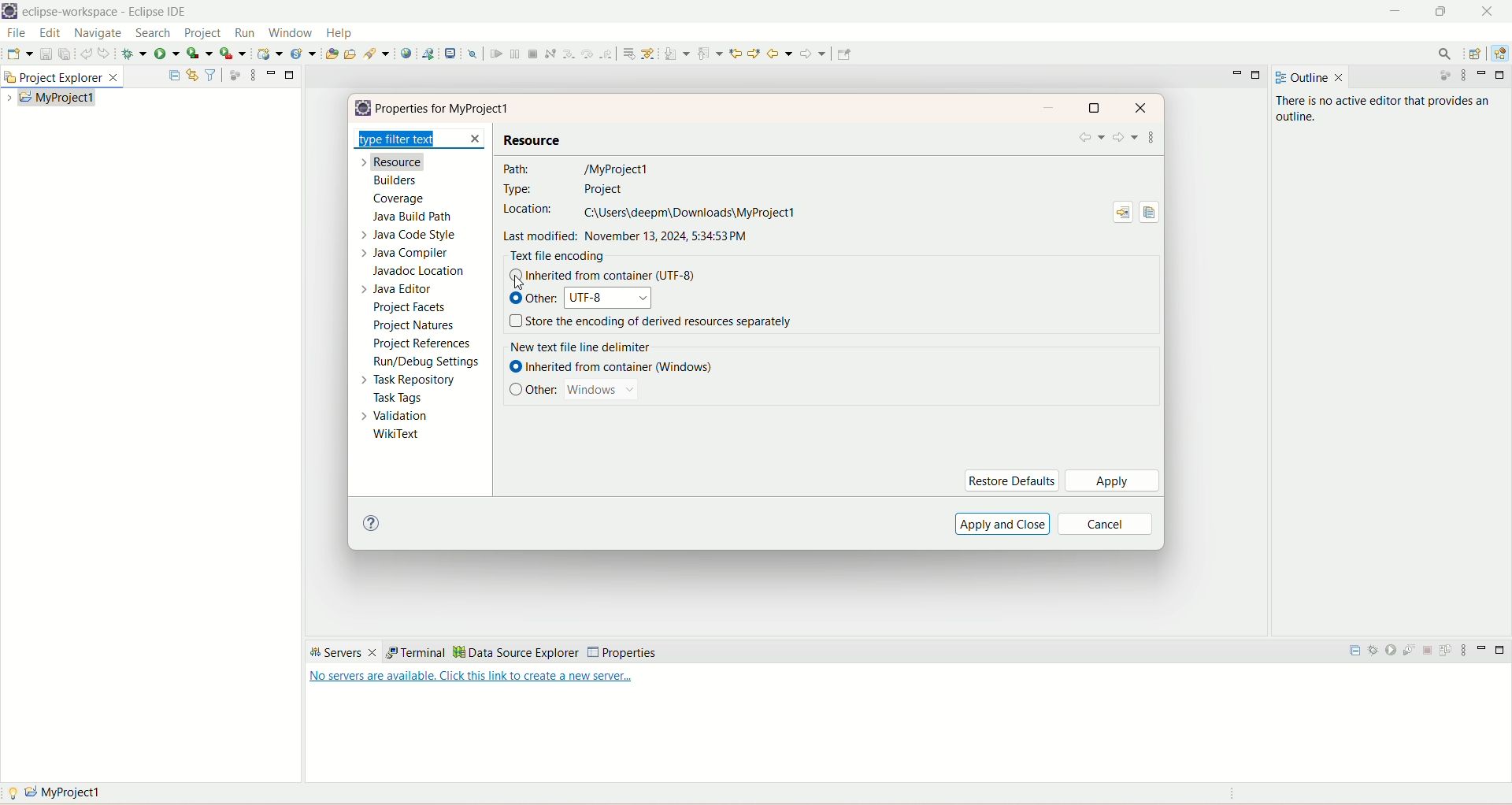  What do you see at coordinates (1014, 481) in the screenshot?
I see `restore defaults` at bounding box center [1014, 481].